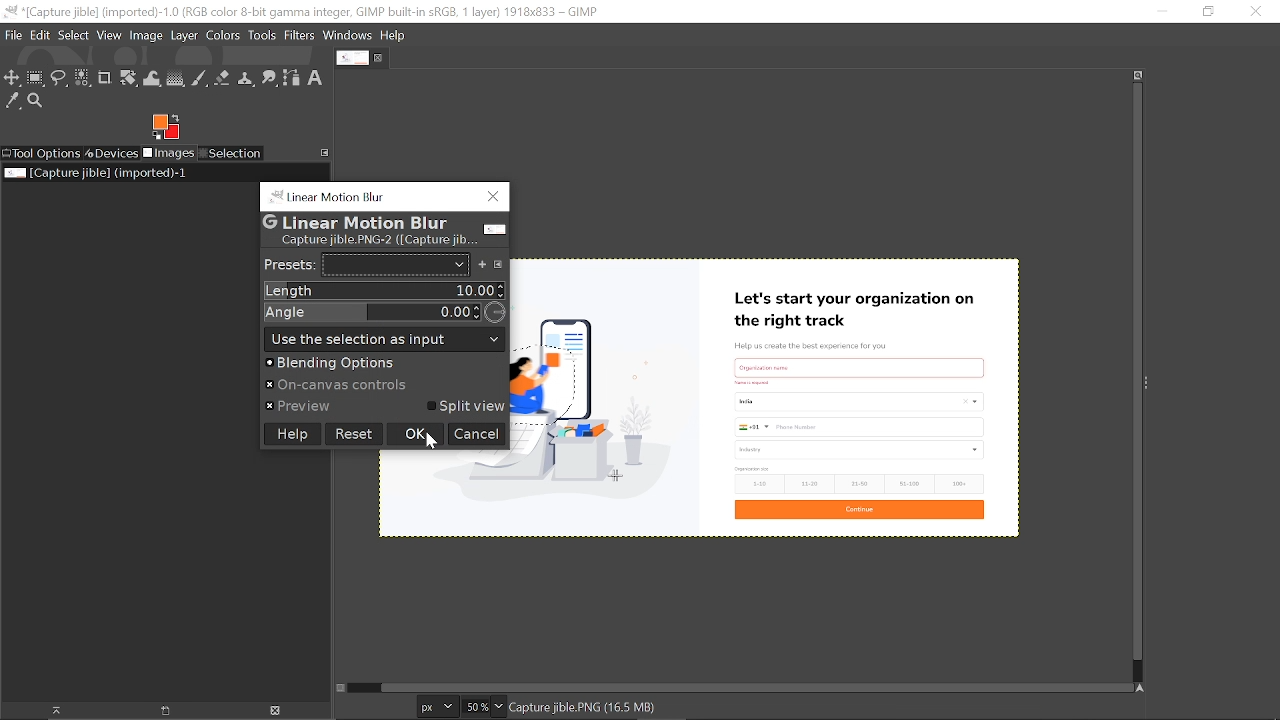 The width and height of the screenshot is (1280, 720). I want to click on Zoom when widow size changes, so click(1138, 75).